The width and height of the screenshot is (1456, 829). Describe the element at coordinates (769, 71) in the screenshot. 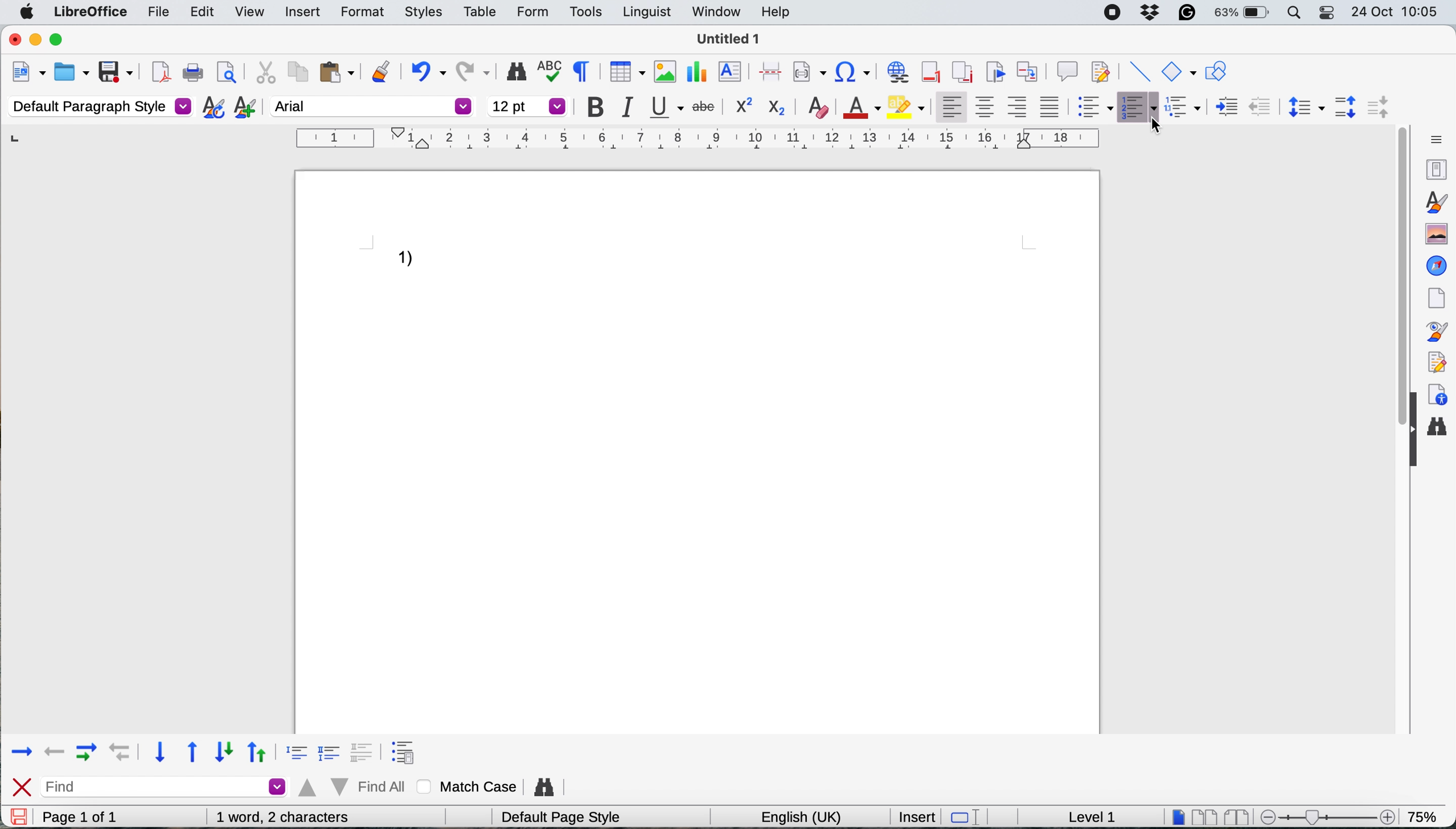

I see `insert page break` at that location.